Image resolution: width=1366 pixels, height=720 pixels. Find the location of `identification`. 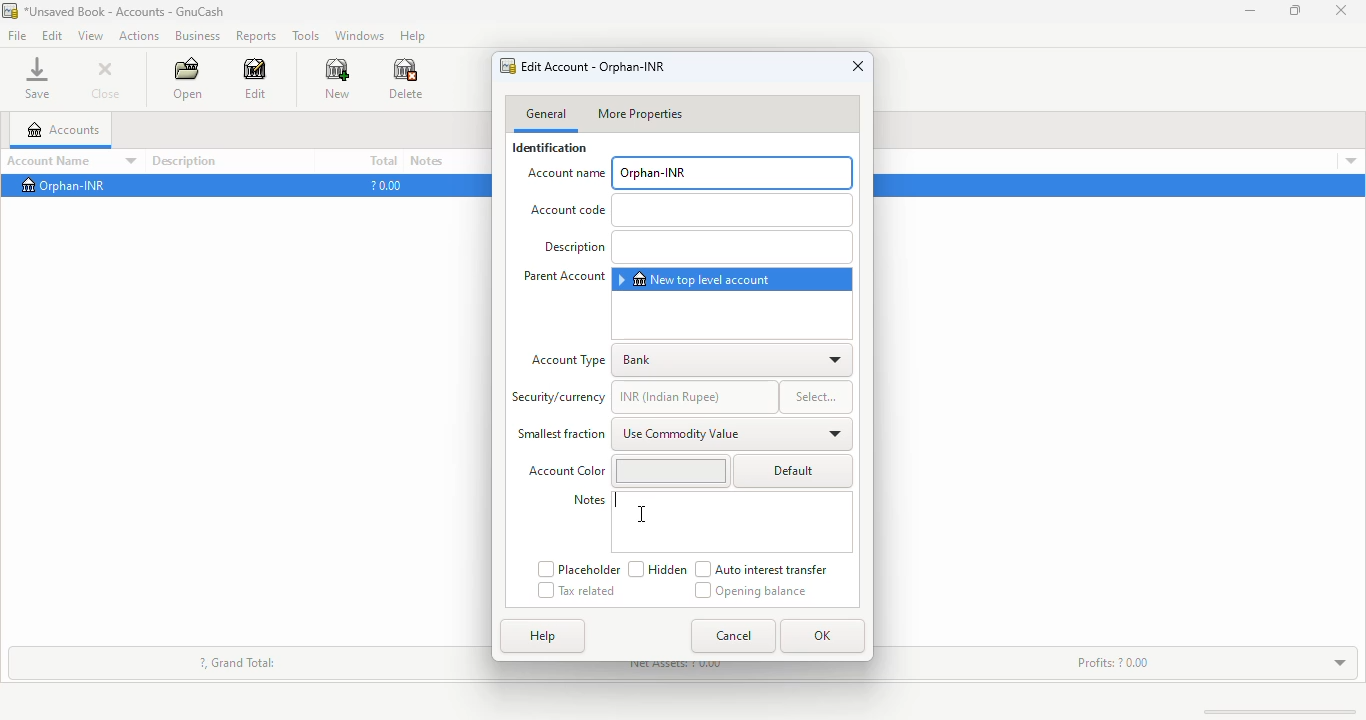

identification is located at coordinates (549, 148).